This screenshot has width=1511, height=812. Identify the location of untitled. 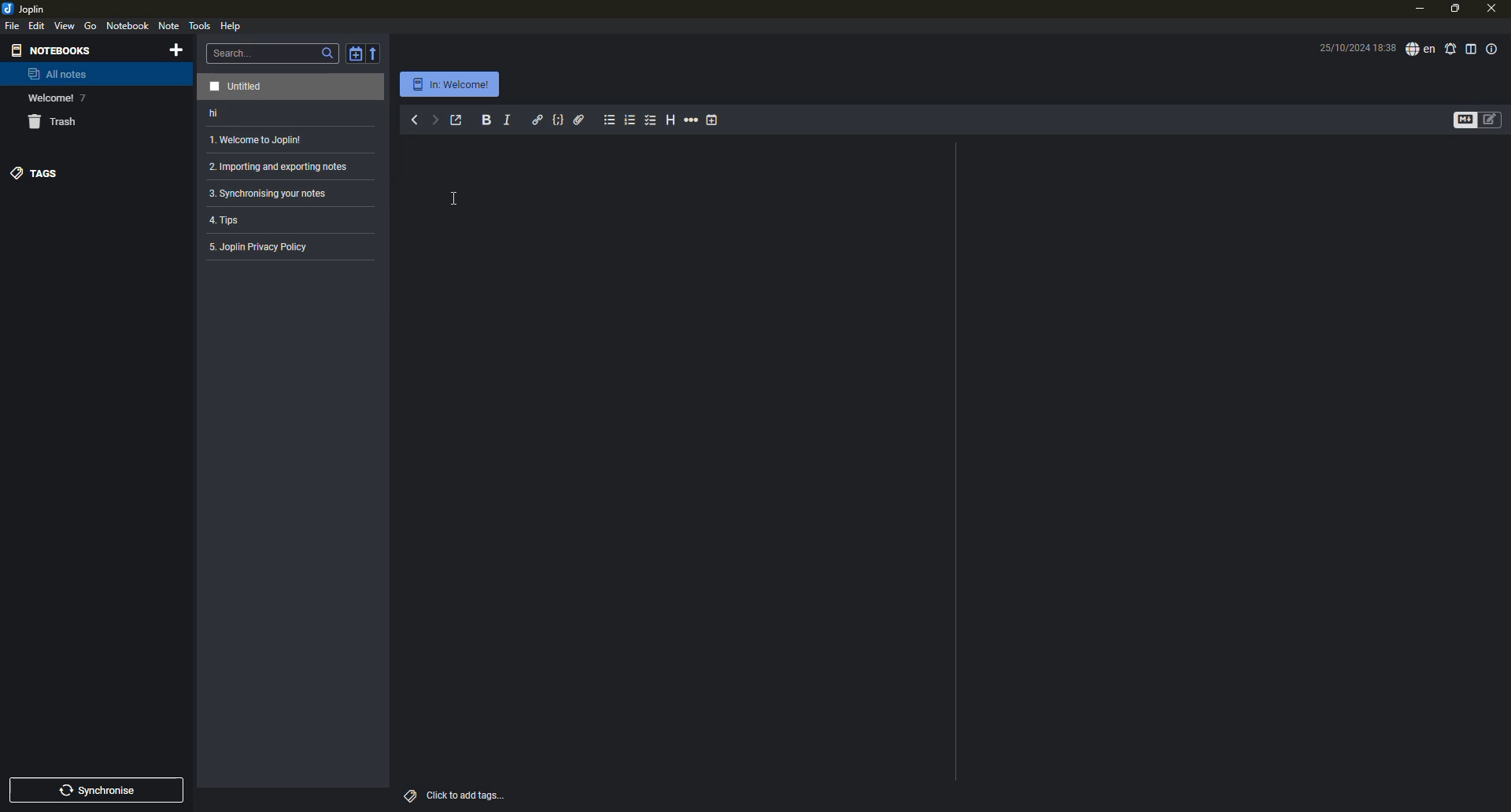
(240, 84).